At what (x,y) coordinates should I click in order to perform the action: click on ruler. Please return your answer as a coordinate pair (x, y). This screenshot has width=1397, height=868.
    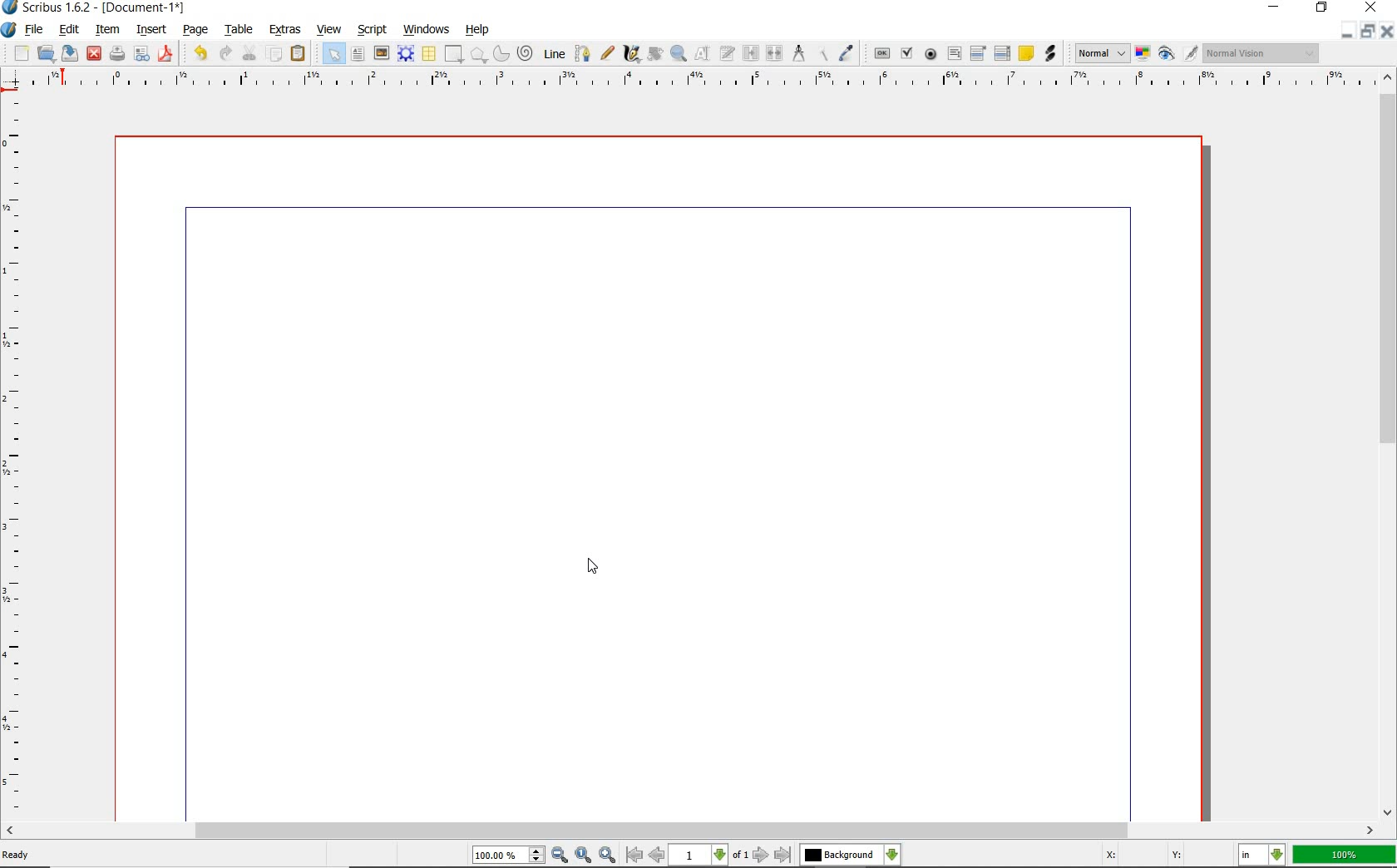
    Looking at the image, I should click on (703, 82).